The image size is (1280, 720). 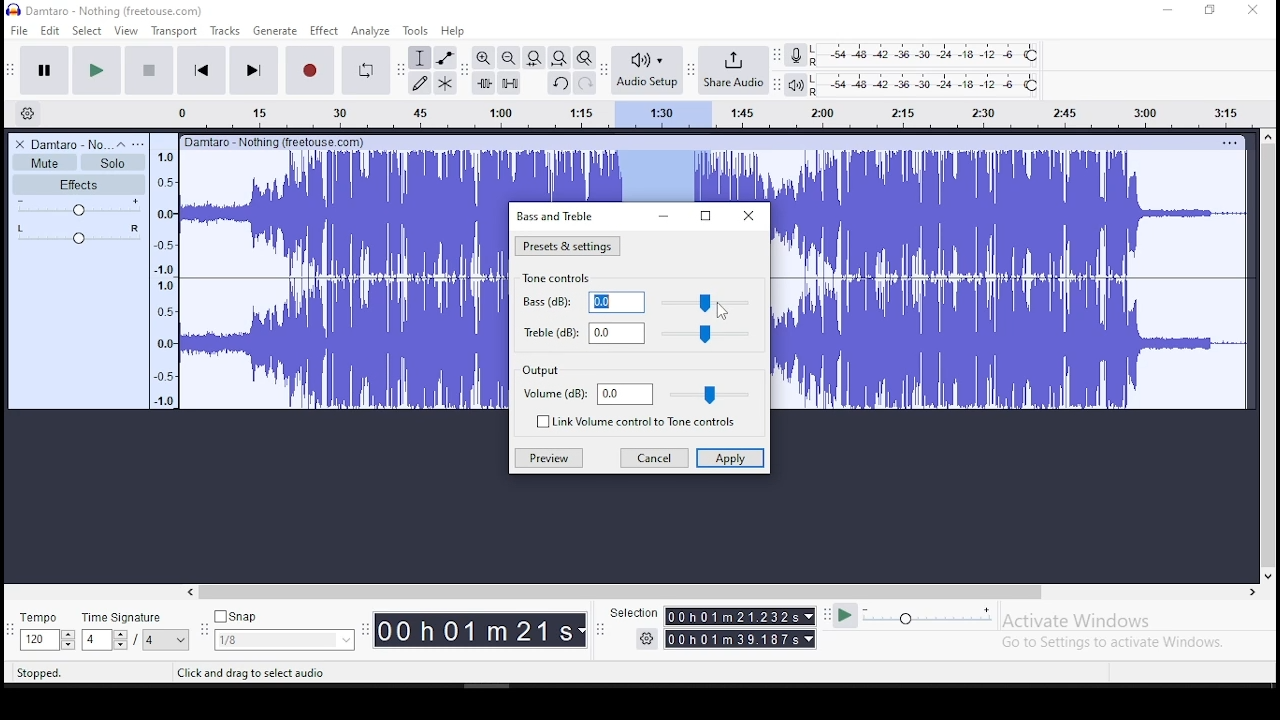 I want to click on Stopped., so click(x=38, y=672).